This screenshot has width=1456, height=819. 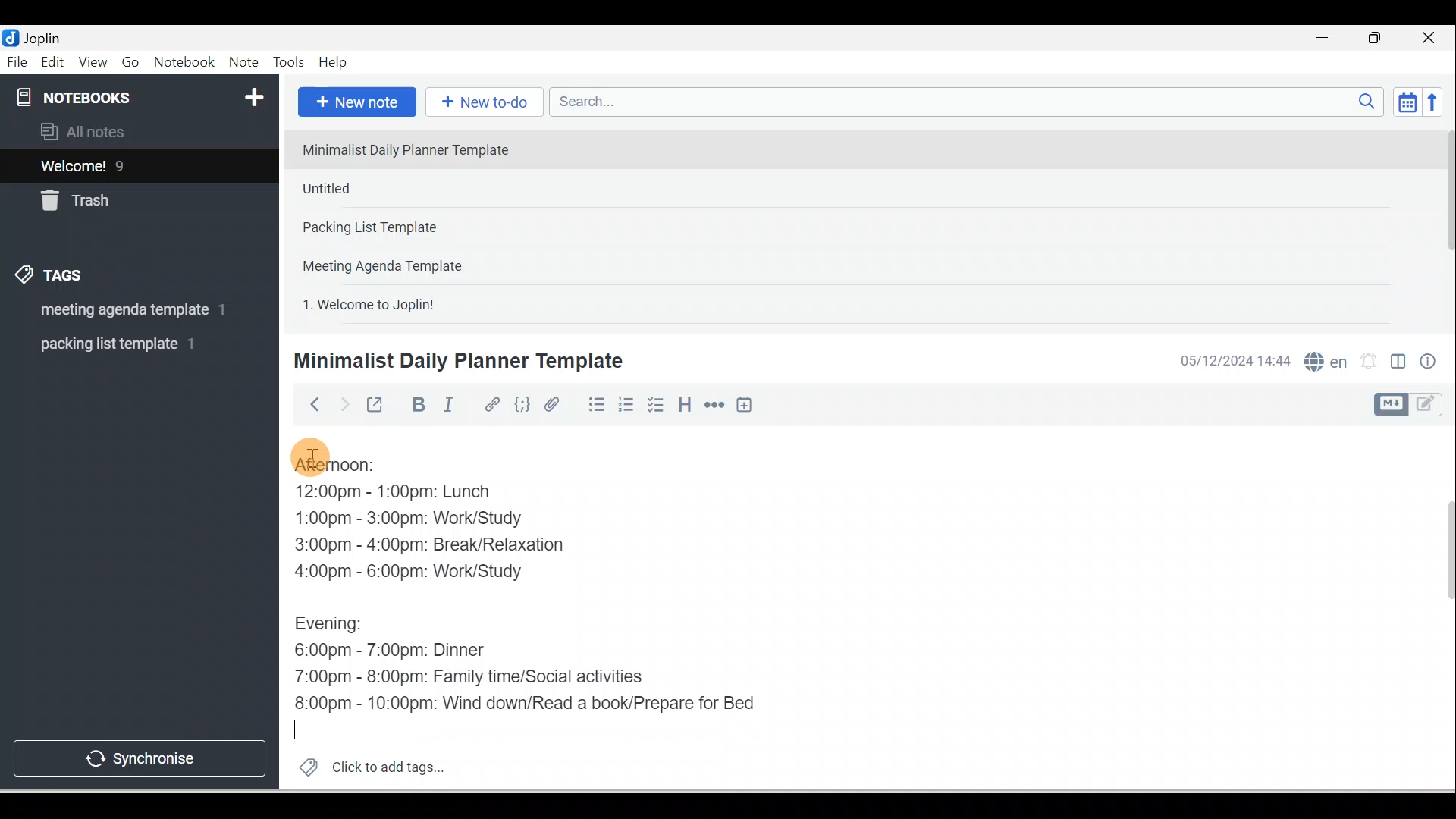 What do you see at coordinates (716, 405) in the screenshot?
I see `Horizontal rule` at bounding box center [716, 405].